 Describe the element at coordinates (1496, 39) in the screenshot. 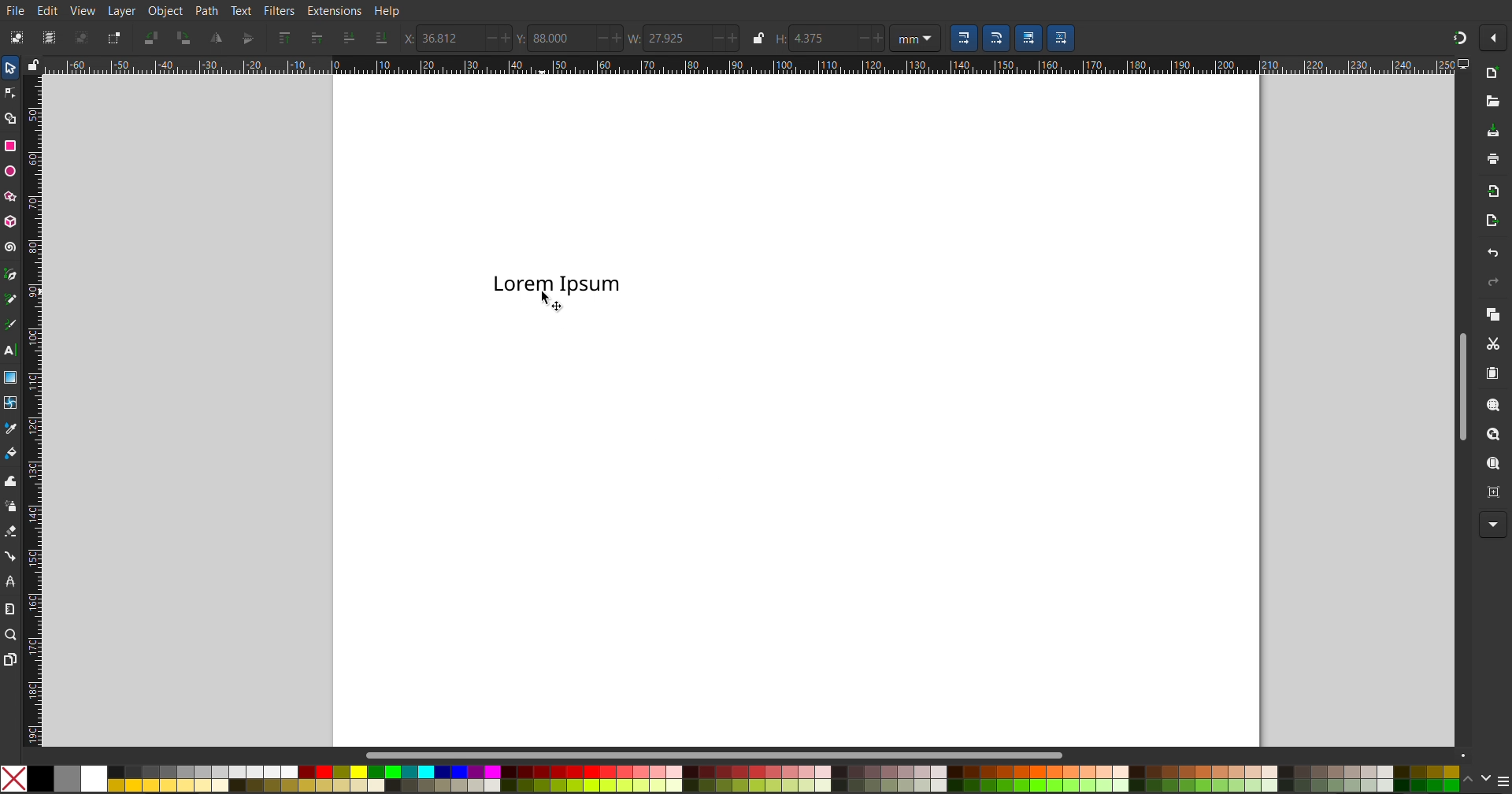

I see `Options` at that location.